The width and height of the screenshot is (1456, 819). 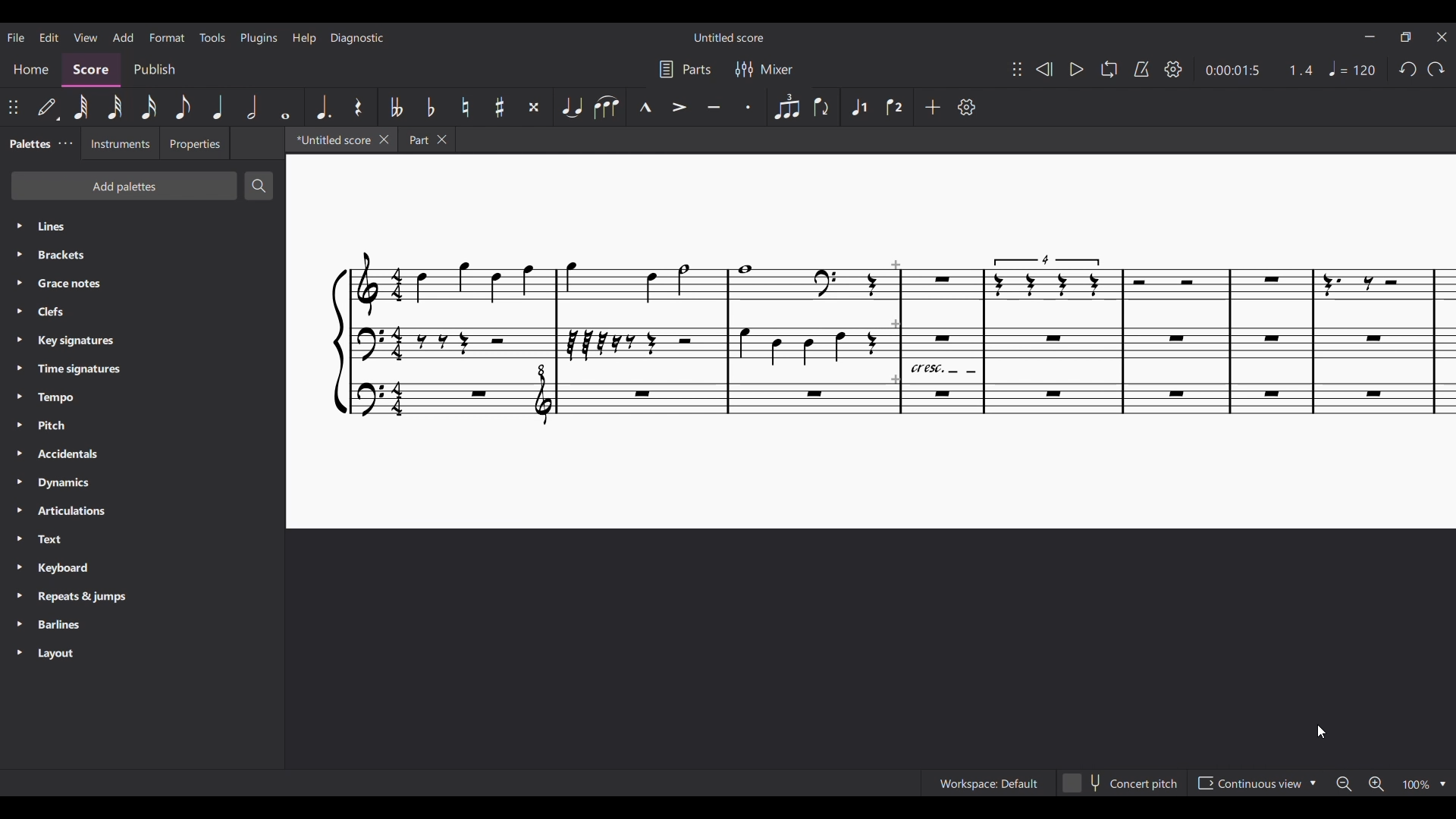 I want to click on Default, so click(x=48, y=108).